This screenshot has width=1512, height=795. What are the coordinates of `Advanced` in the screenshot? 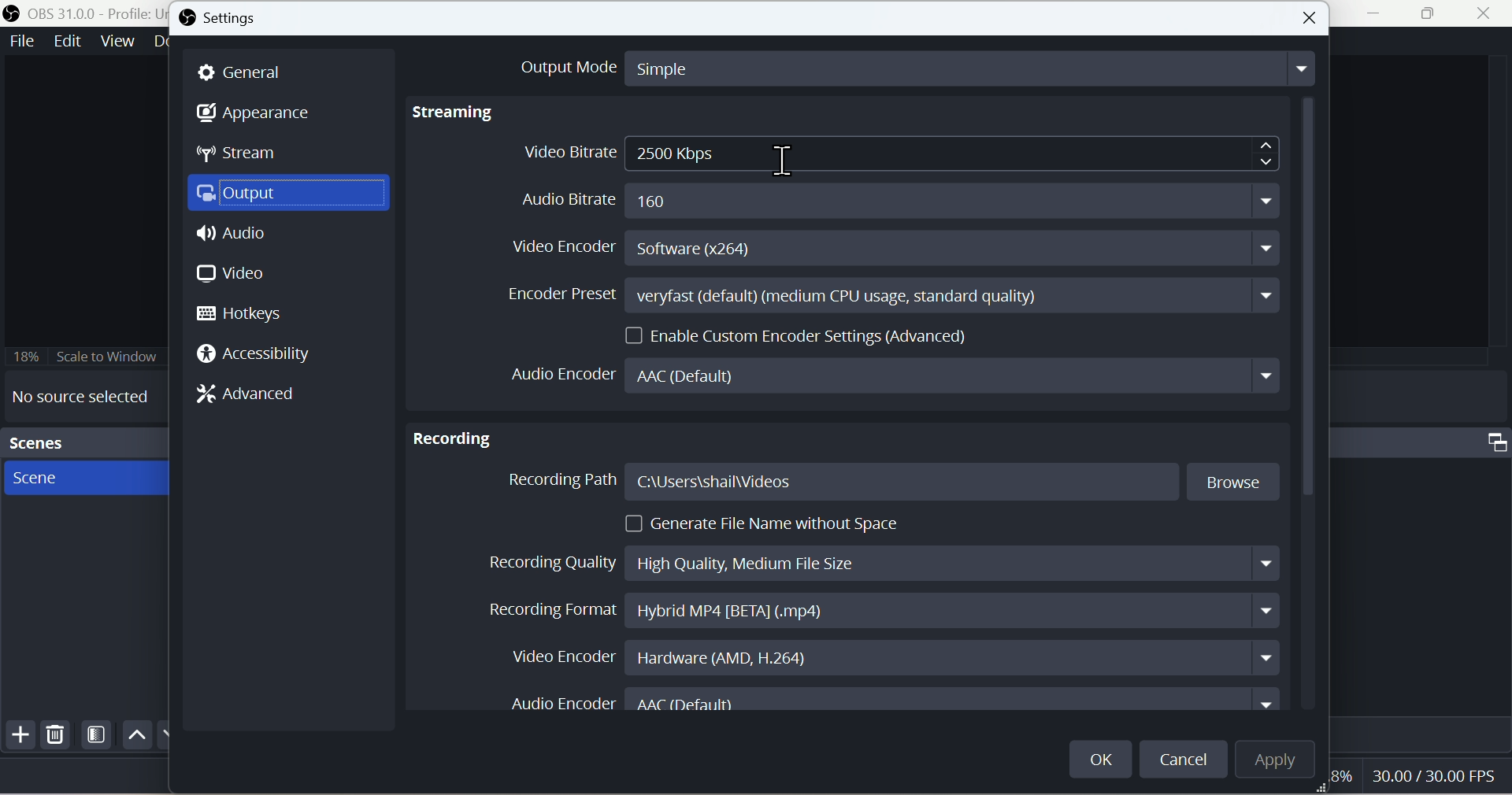 It's located at (258, 397).